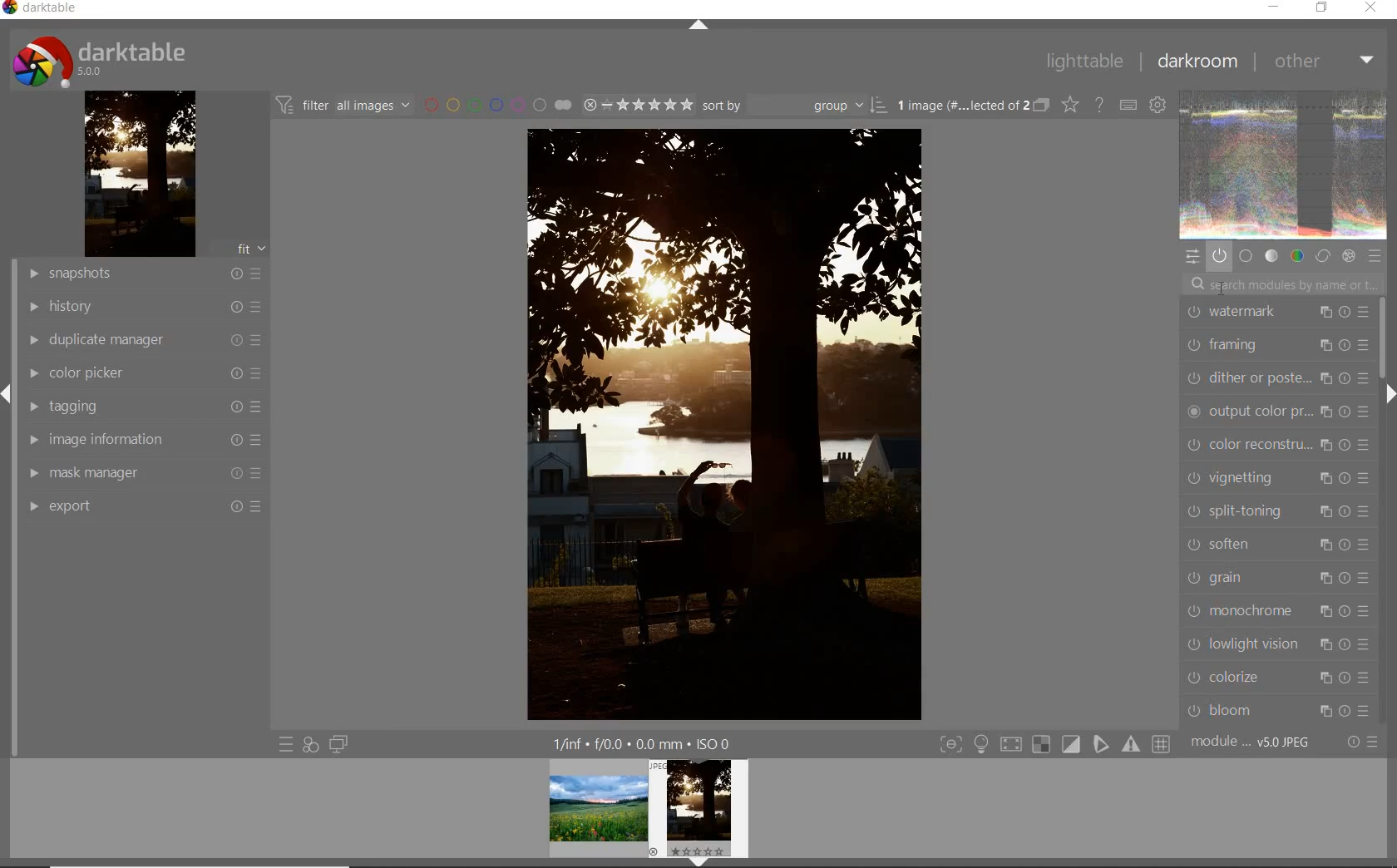 This screenshot has width=1397, height=868. Describe the element at coordinates (971, 105) in the screenshot. I see `1 image (#.... lected of 2)` at that location.